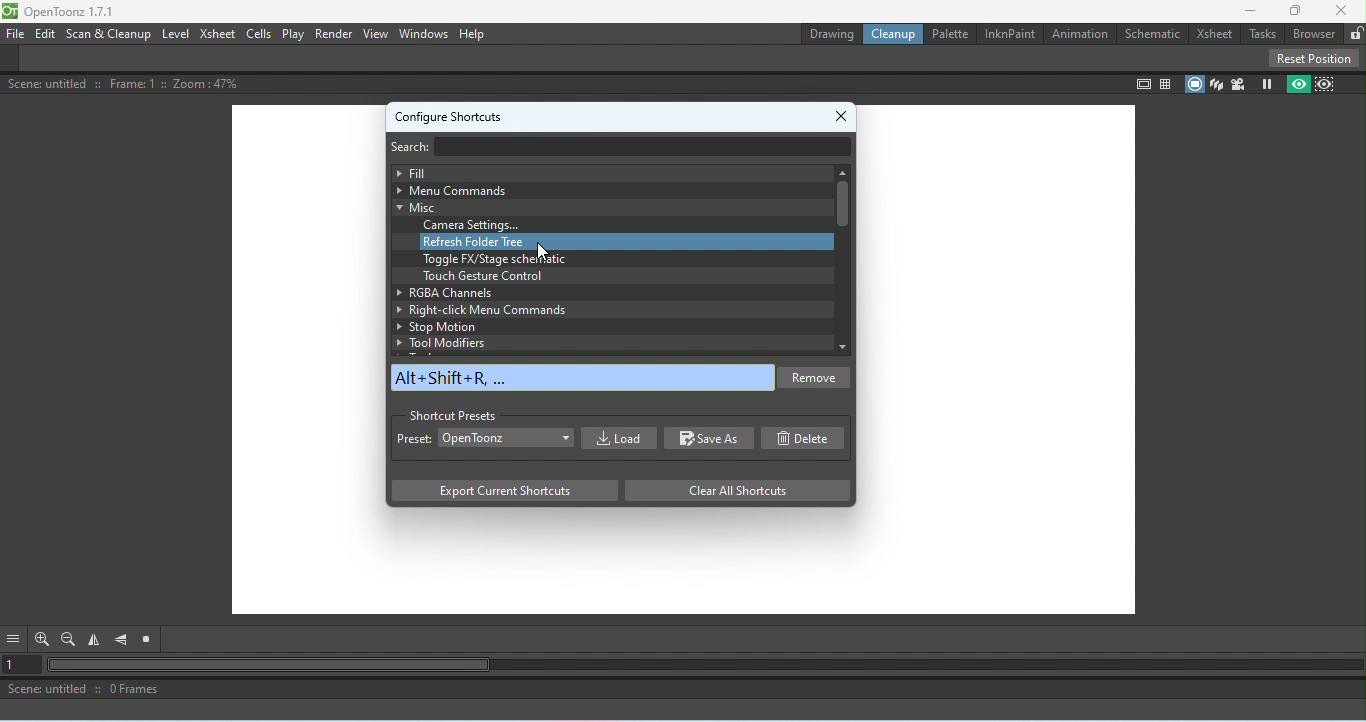  I want to click on Render, so click(333, 35).